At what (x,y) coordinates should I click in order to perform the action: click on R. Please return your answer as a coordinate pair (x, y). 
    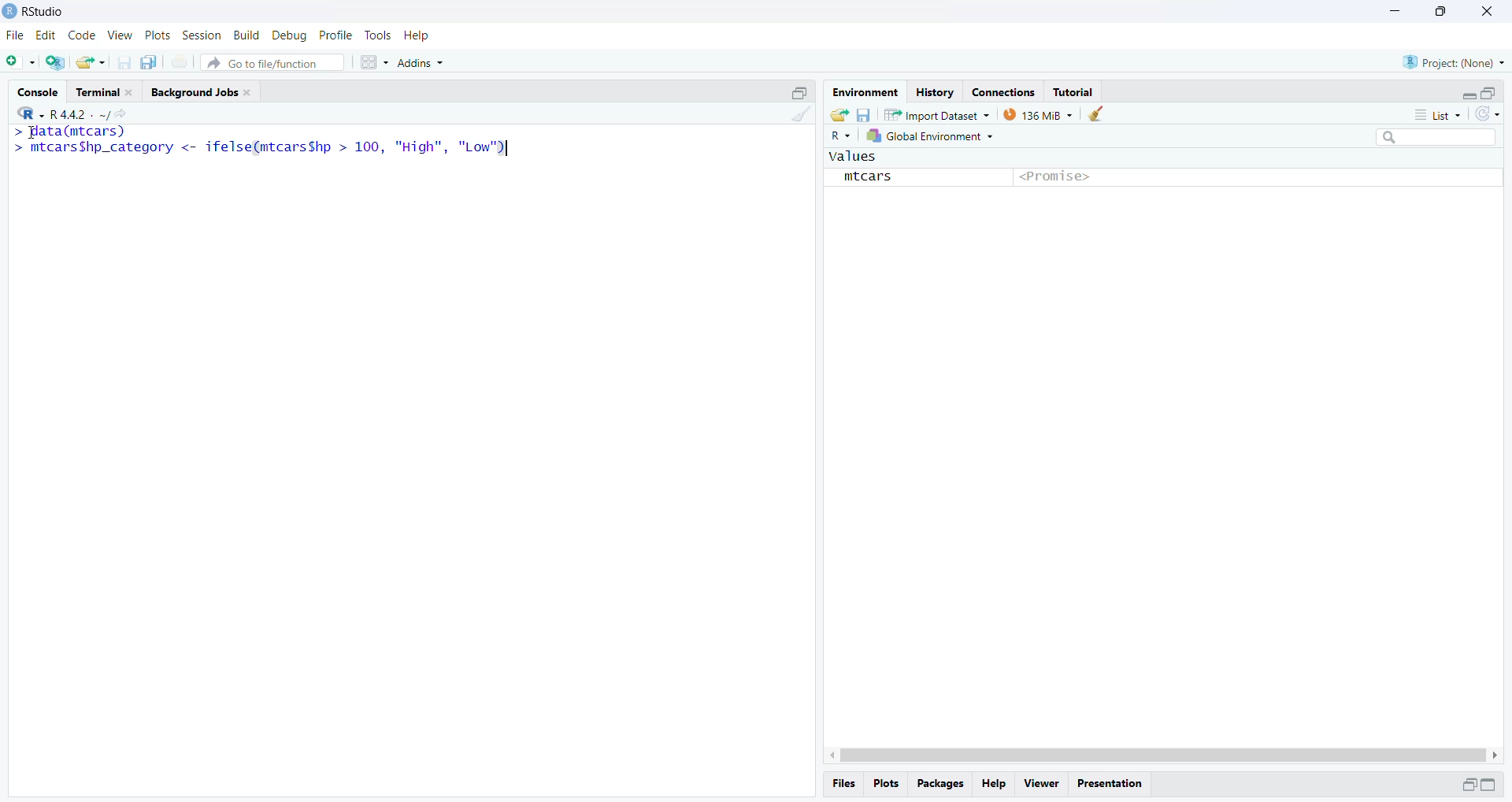
    Looking at the image, I should click on (842, 136).